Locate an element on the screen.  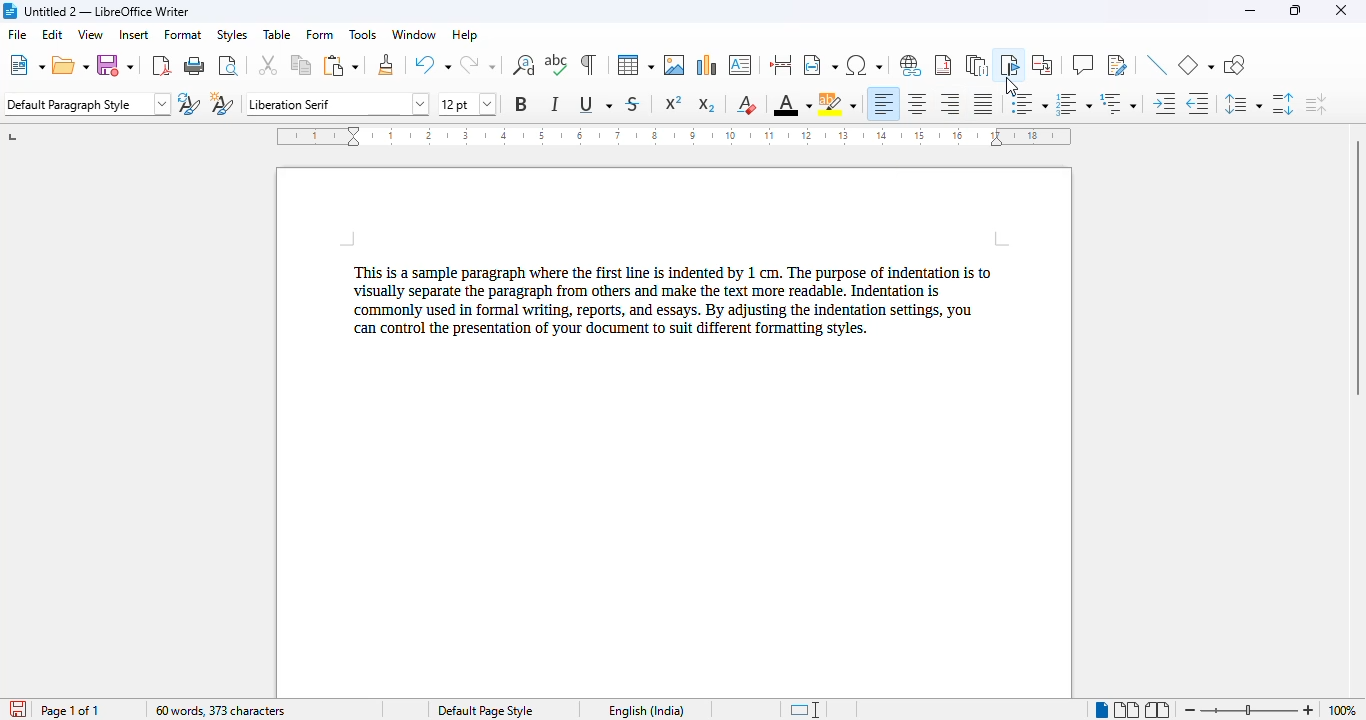
undo is located at coordinates (432, 64).